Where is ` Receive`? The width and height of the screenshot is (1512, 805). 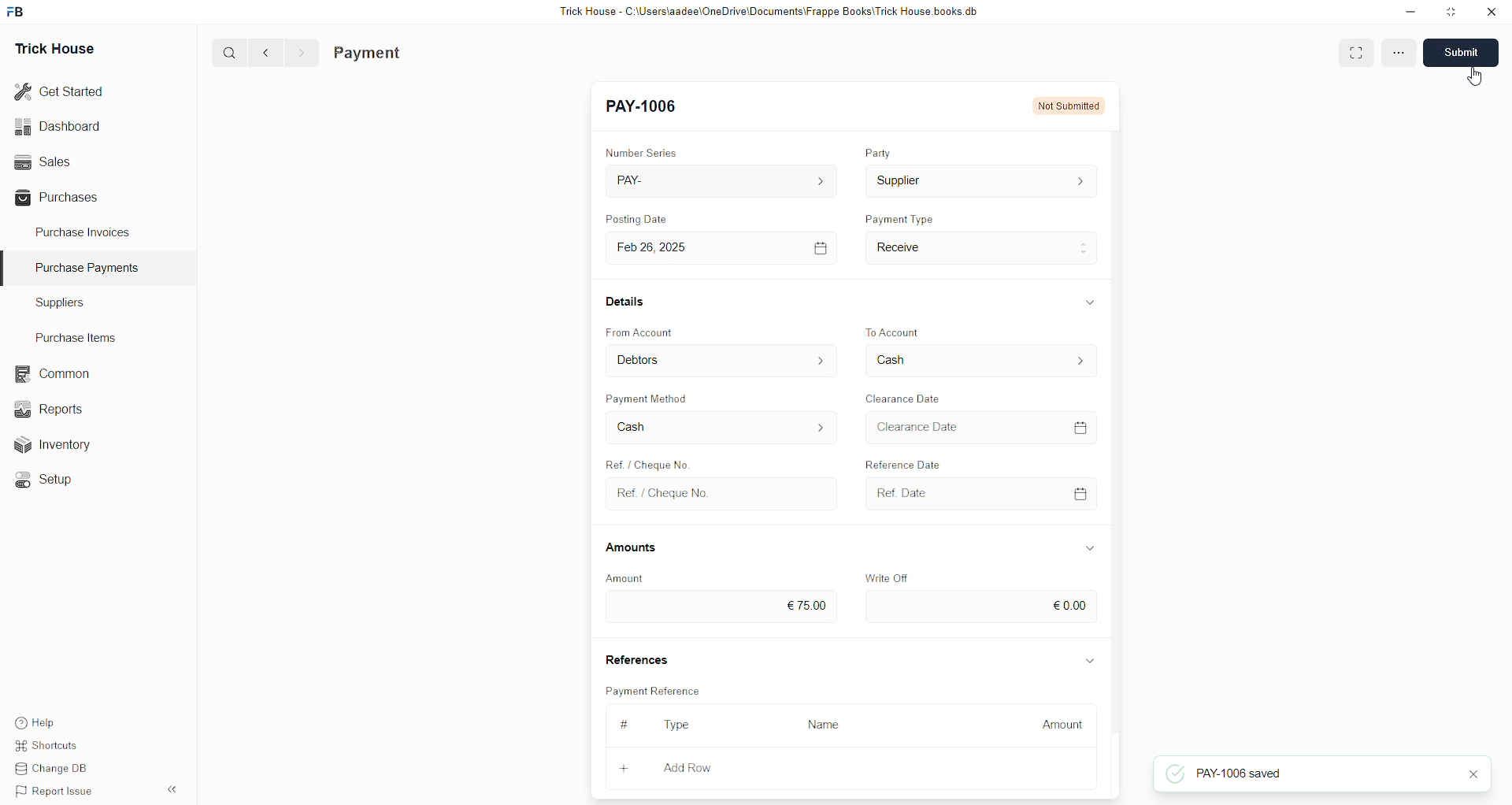
 Receive is located at coordinates (981, 247).